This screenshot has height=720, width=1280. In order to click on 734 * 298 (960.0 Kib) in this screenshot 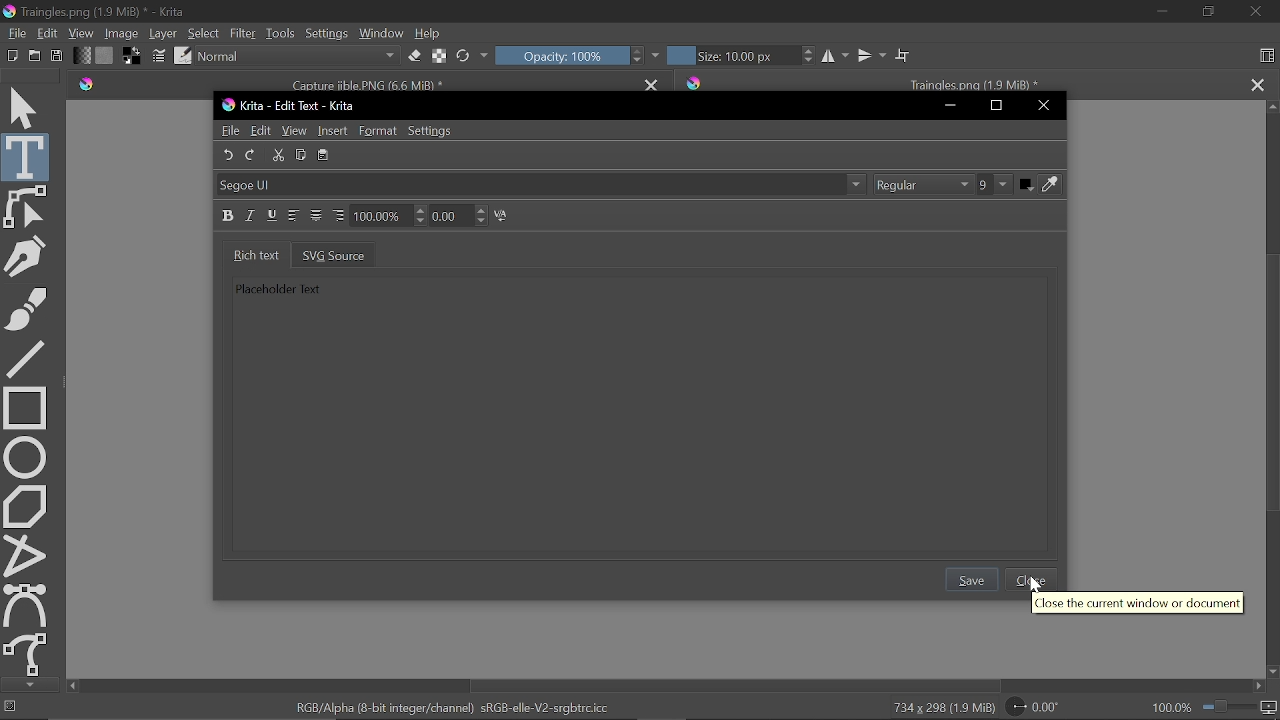, I will do `click(939, 709)`.